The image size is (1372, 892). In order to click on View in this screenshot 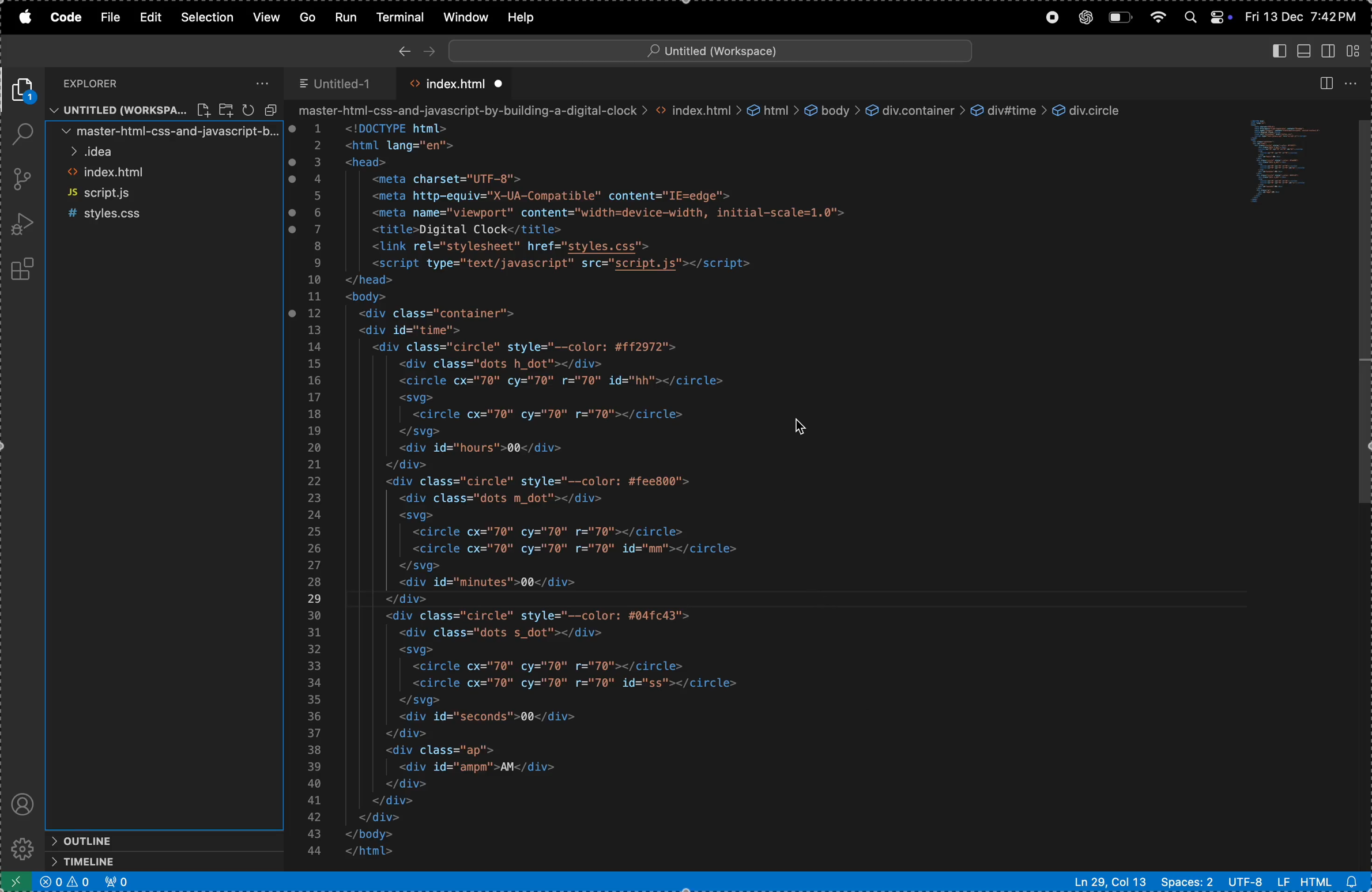, I will do `click(268, 17)`.